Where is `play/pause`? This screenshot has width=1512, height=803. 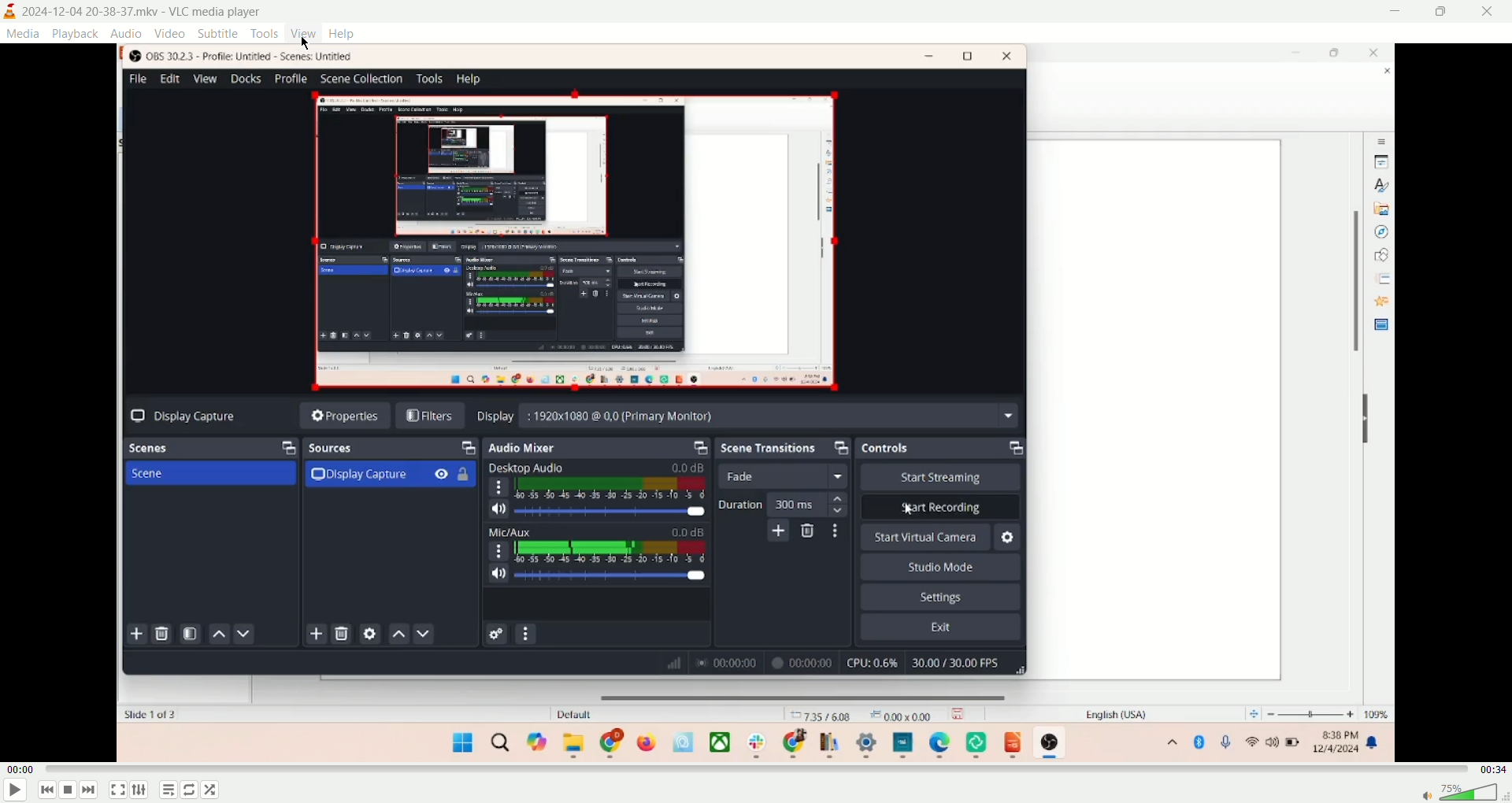 play/pause is located at coordinates (13, 790).